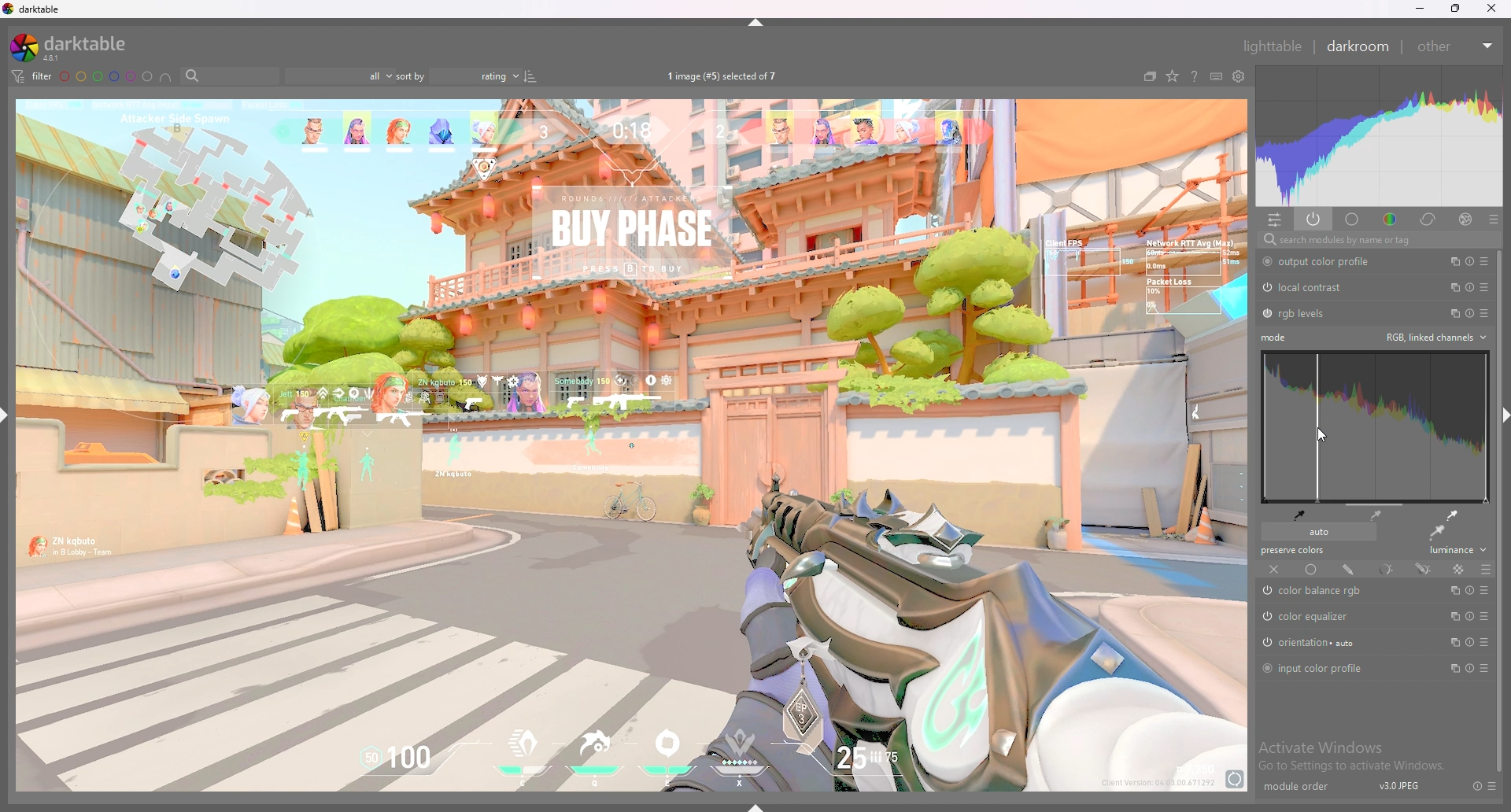 Image resolution: width=1511 pixels, height=812 pixels. What do you see at coordinates (1454, 552) in the screenshot?
I see `luminance` at bounding box center [1454, 552].